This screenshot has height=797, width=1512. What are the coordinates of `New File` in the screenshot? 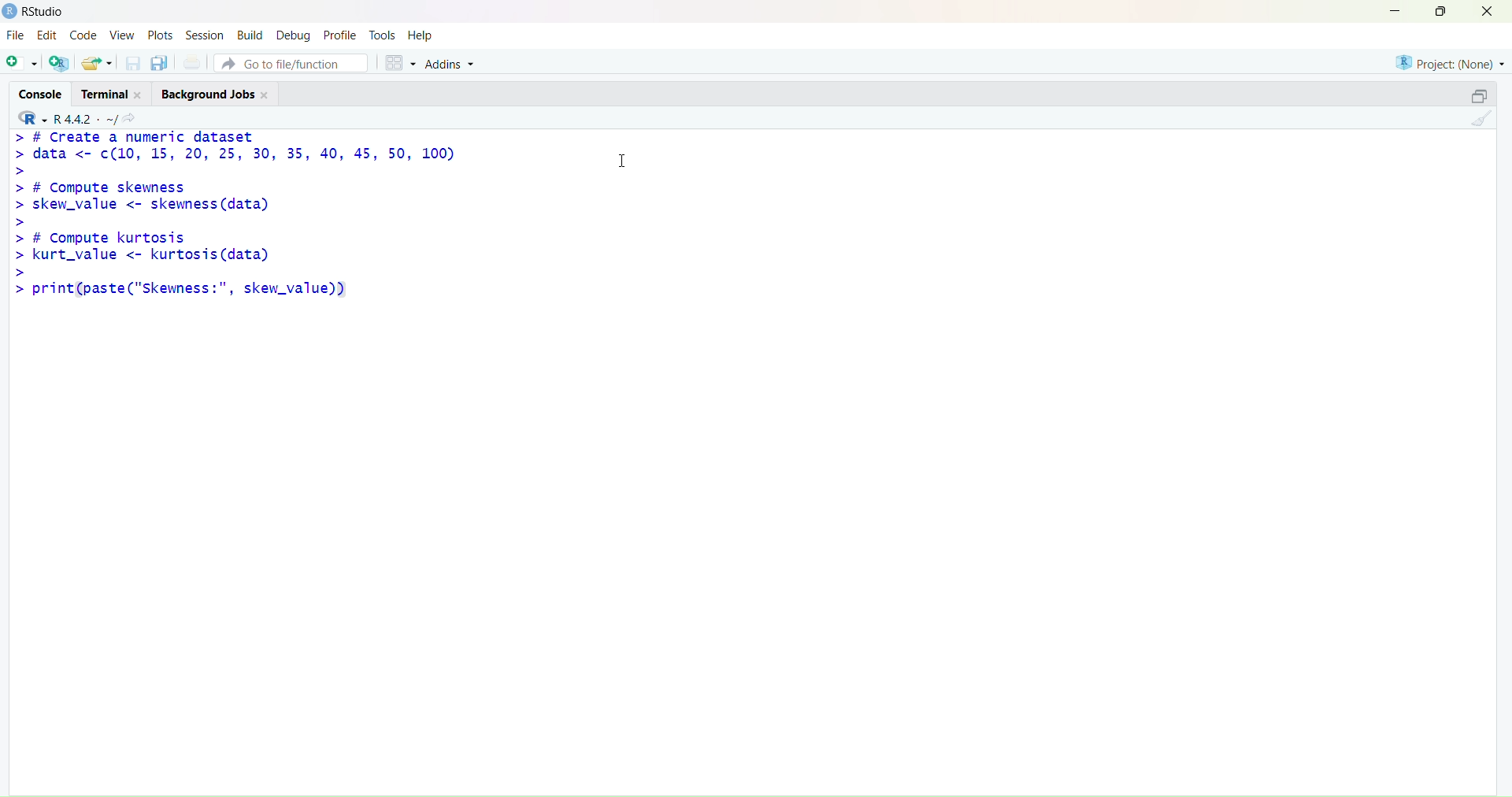 It's located at (20, 62).